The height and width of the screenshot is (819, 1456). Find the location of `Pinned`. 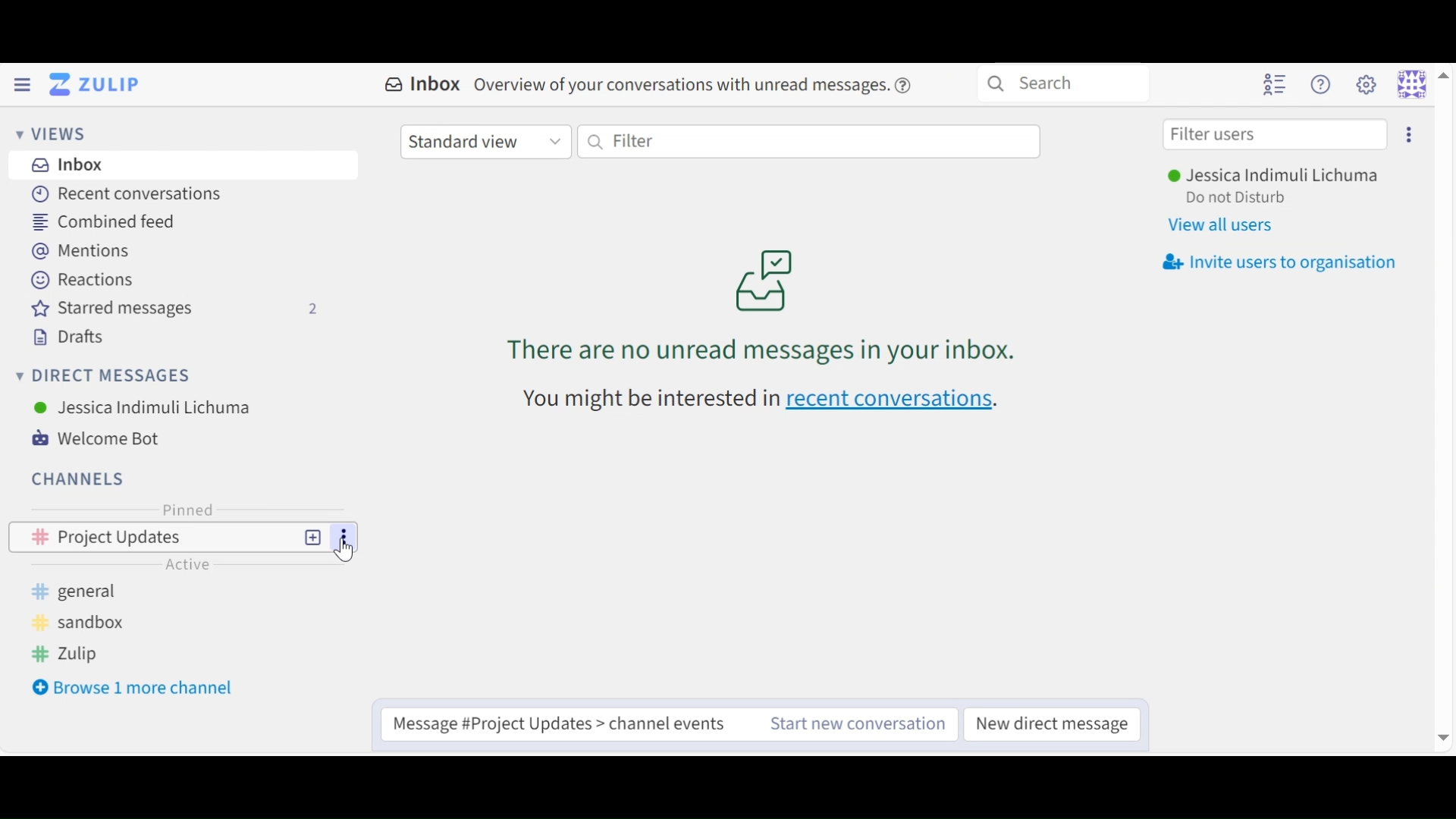

Pinned is located at coordinates (185, 511).